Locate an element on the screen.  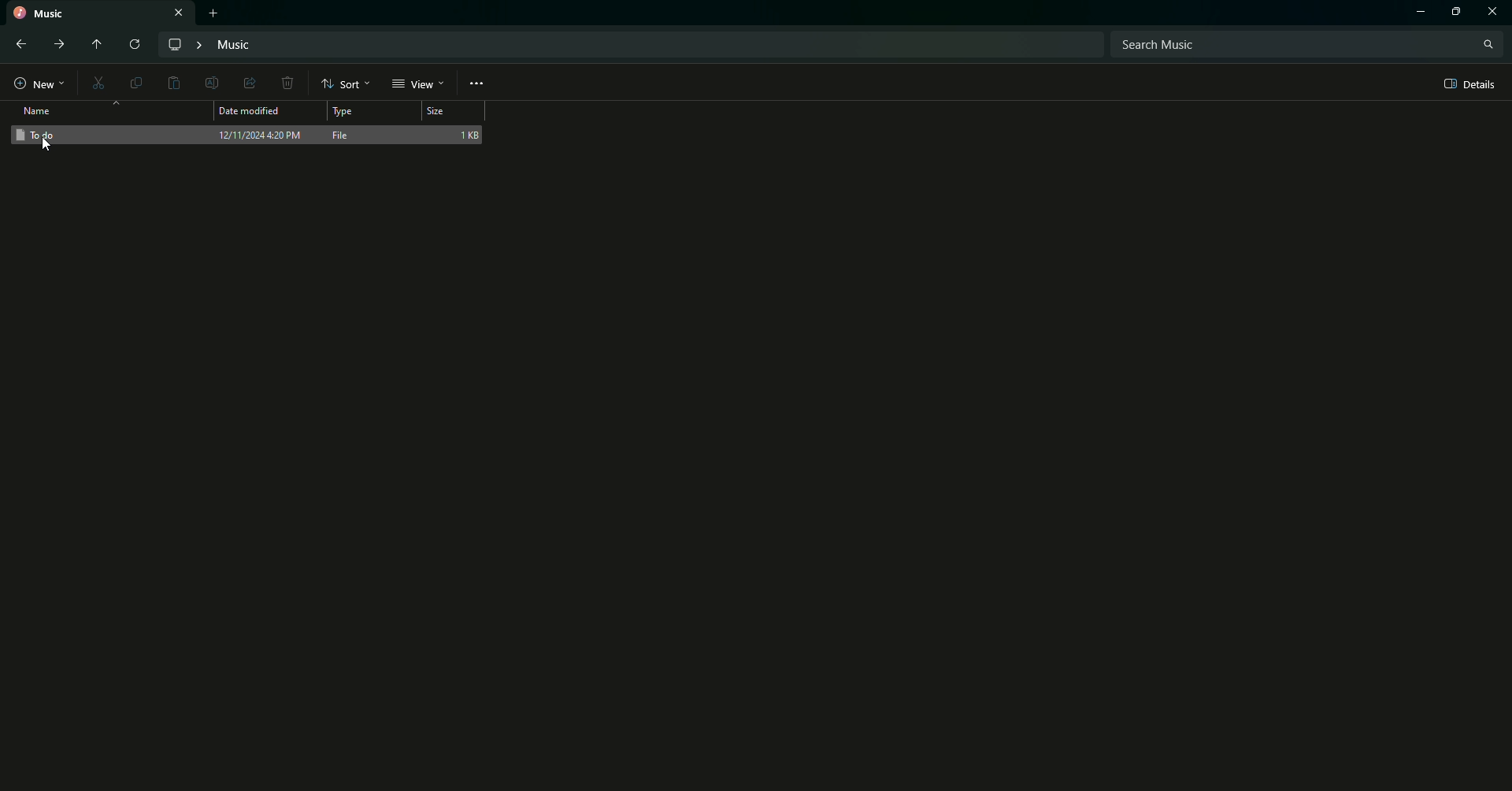
Delete is located at coordinates (290, 84).